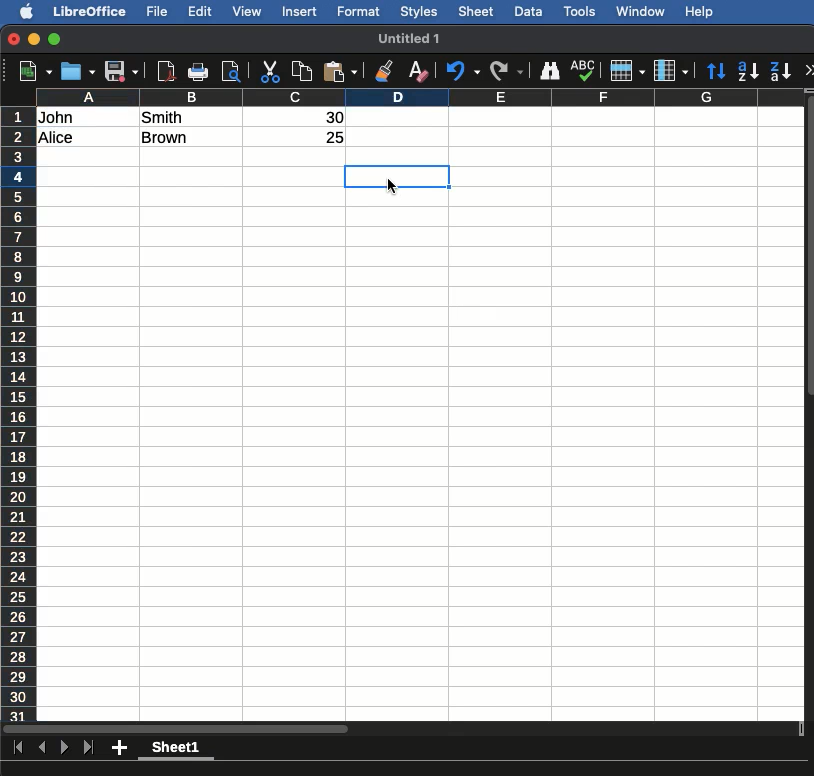 Image resolution: width=814 pixels, height=776 pixels. Describe the element at coordinates (465, 70) in the screenshot. I see `Undo` at that location.